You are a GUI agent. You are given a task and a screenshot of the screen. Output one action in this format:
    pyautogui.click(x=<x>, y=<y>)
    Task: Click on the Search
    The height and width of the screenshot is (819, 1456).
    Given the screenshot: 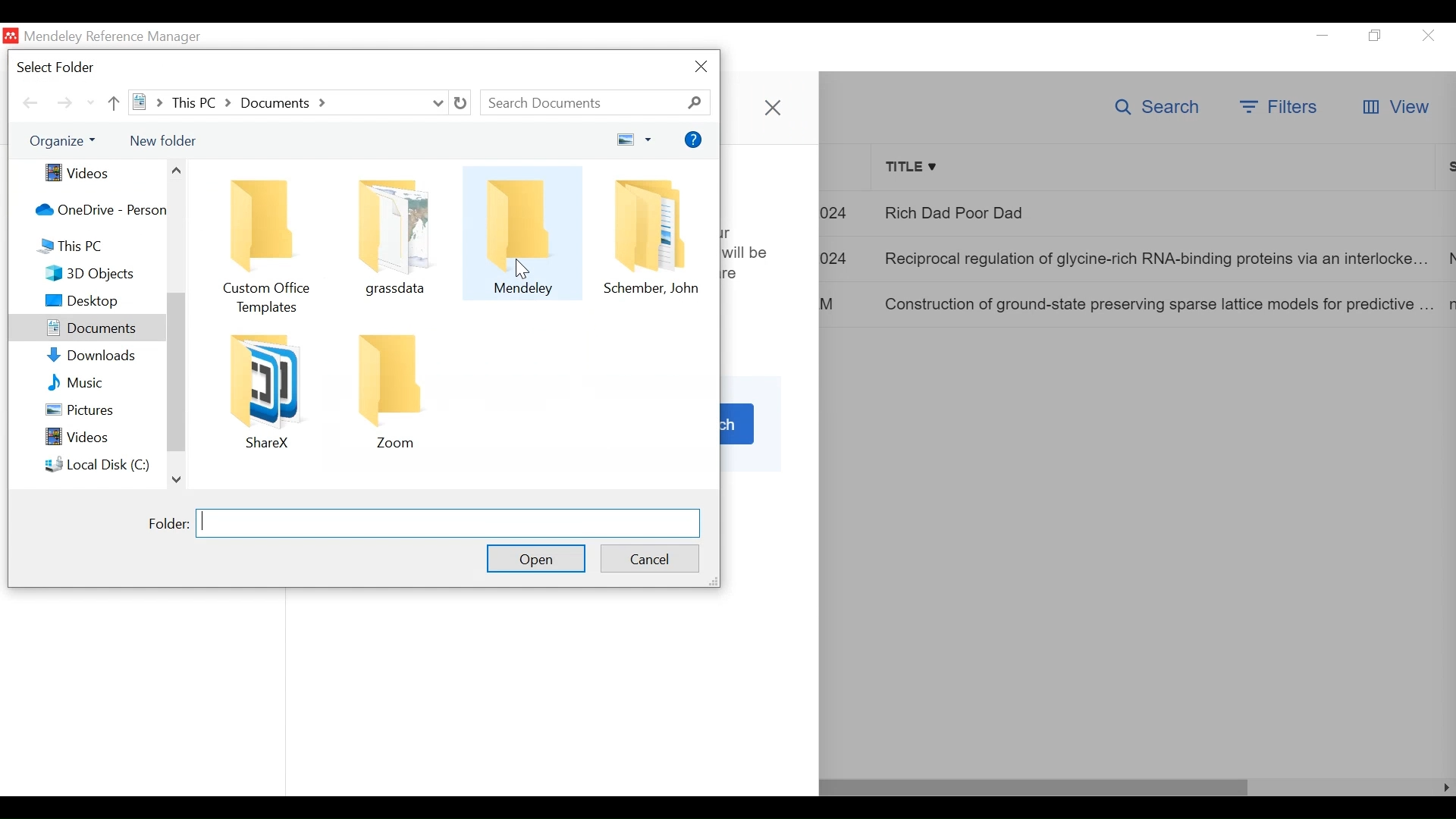 What is the action you would take?
    pyautogui.click(x=1154, y=108)
    